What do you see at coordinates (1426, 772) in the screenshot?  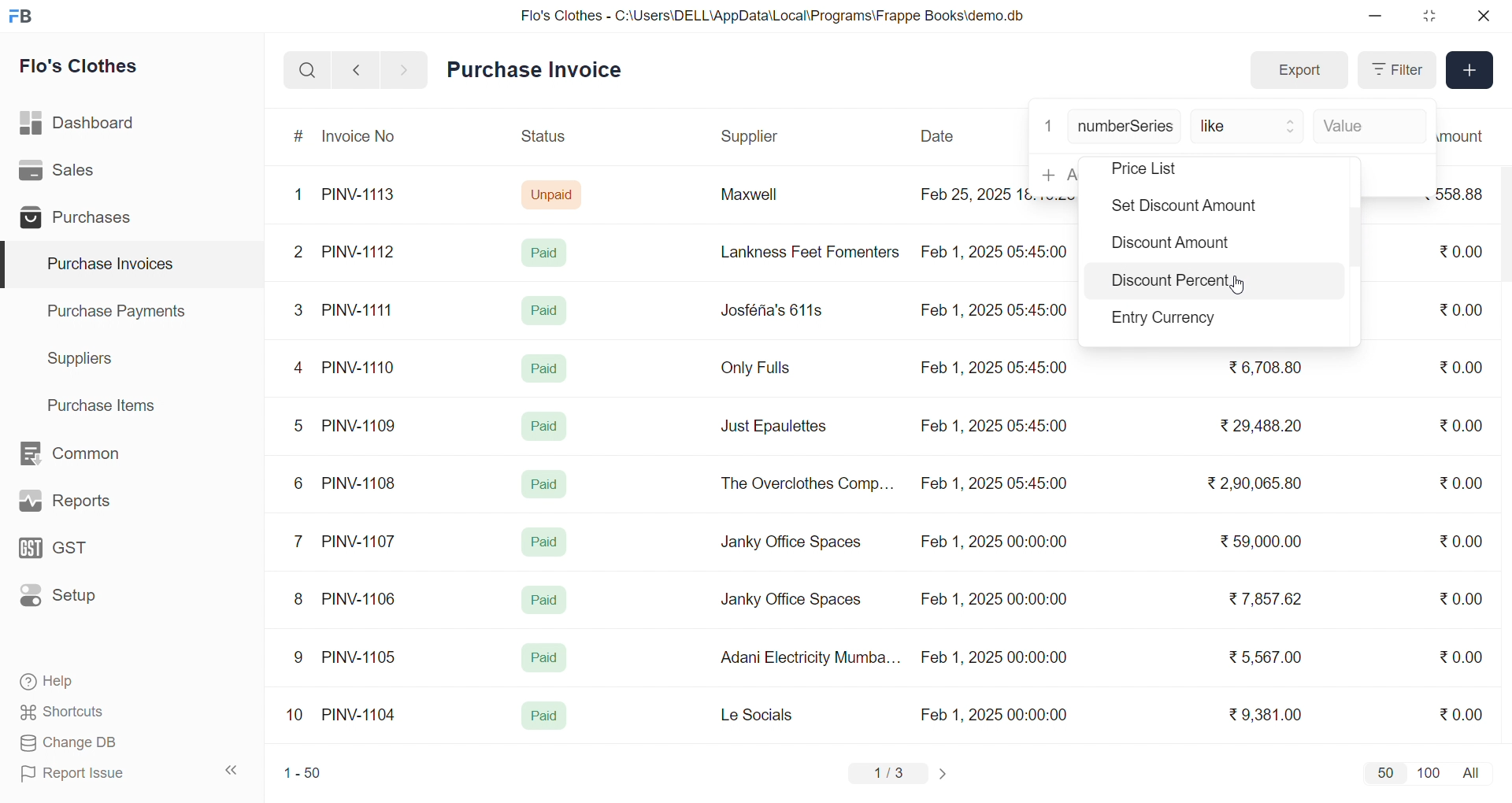 I see `100` at bounding box center [1426, 772].